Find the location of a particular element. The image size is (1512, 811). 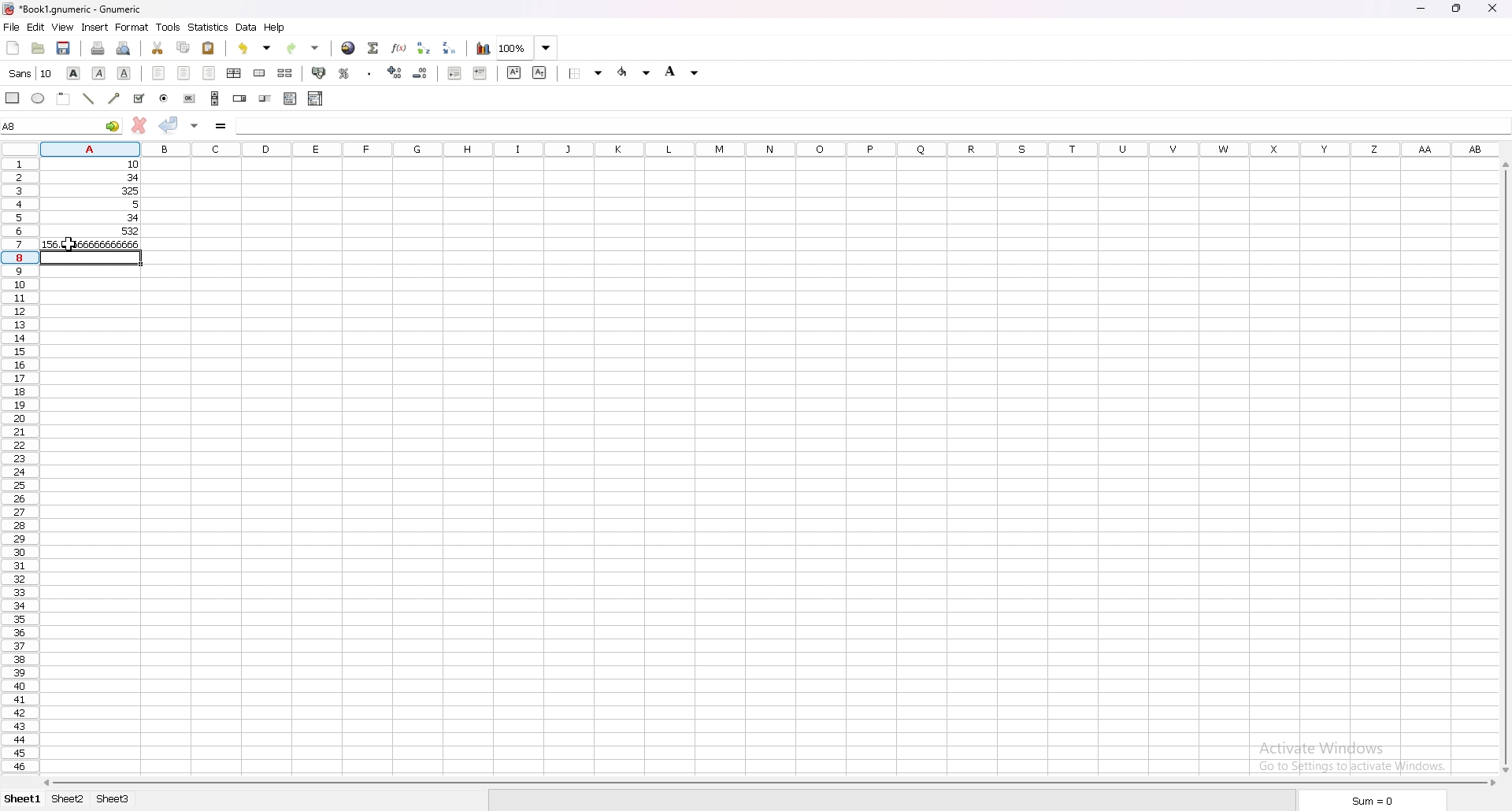

italic is located at coordinates (99, 72).